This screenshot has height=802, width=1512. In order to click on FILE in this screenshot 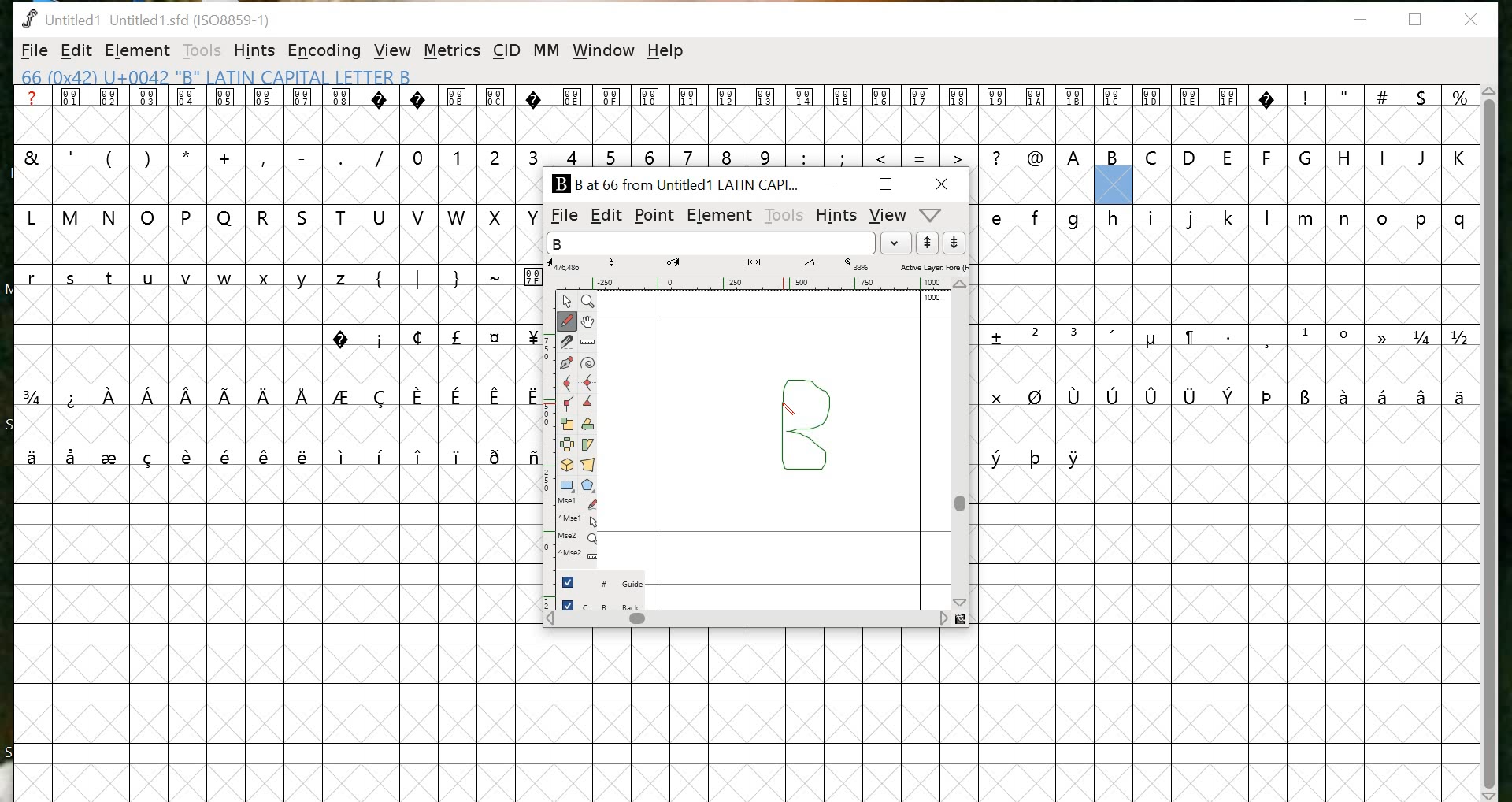, I will do `click(561, 216)`.